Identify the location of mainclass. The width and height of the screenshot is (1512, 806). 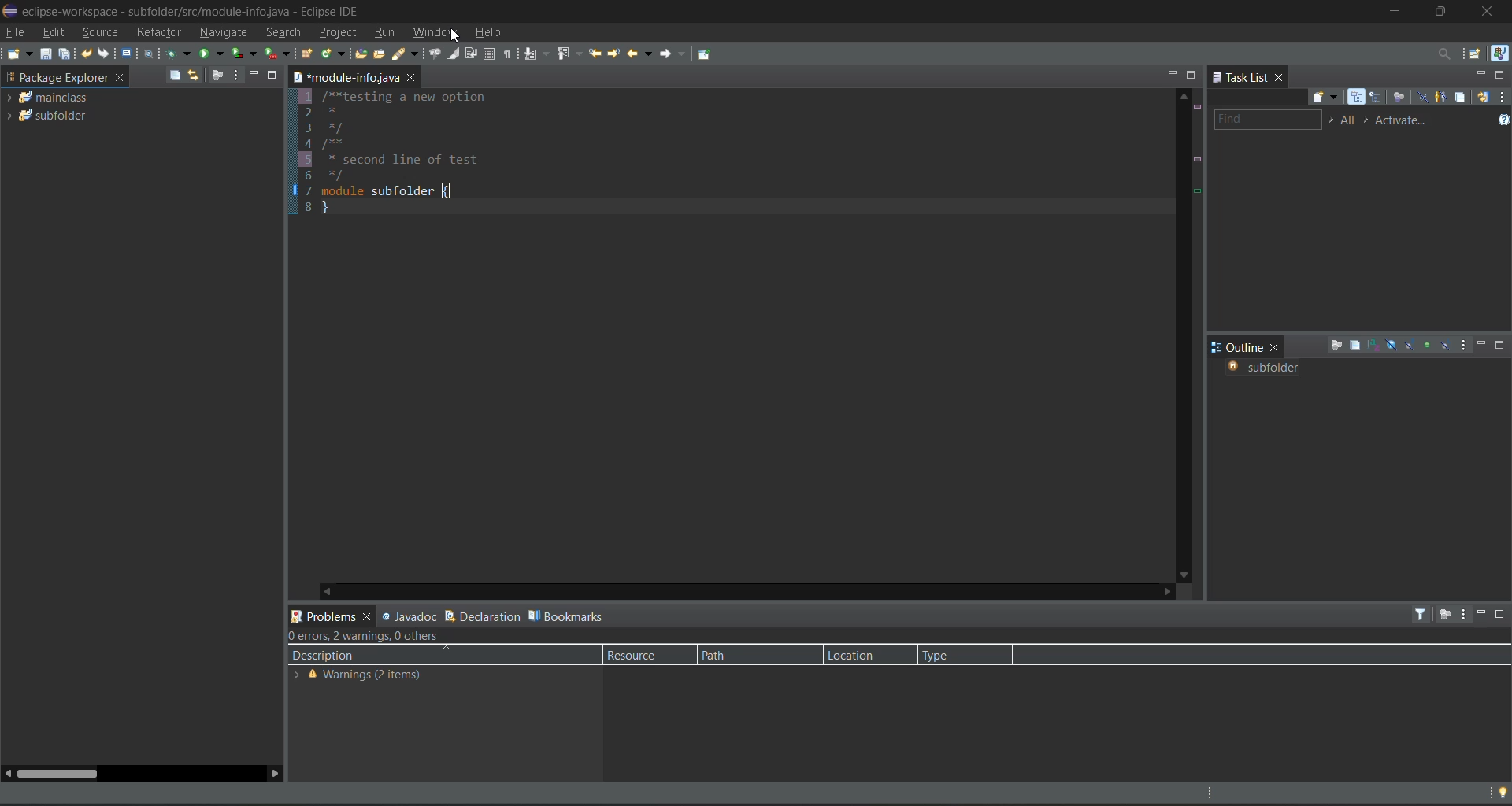
(55, 100).